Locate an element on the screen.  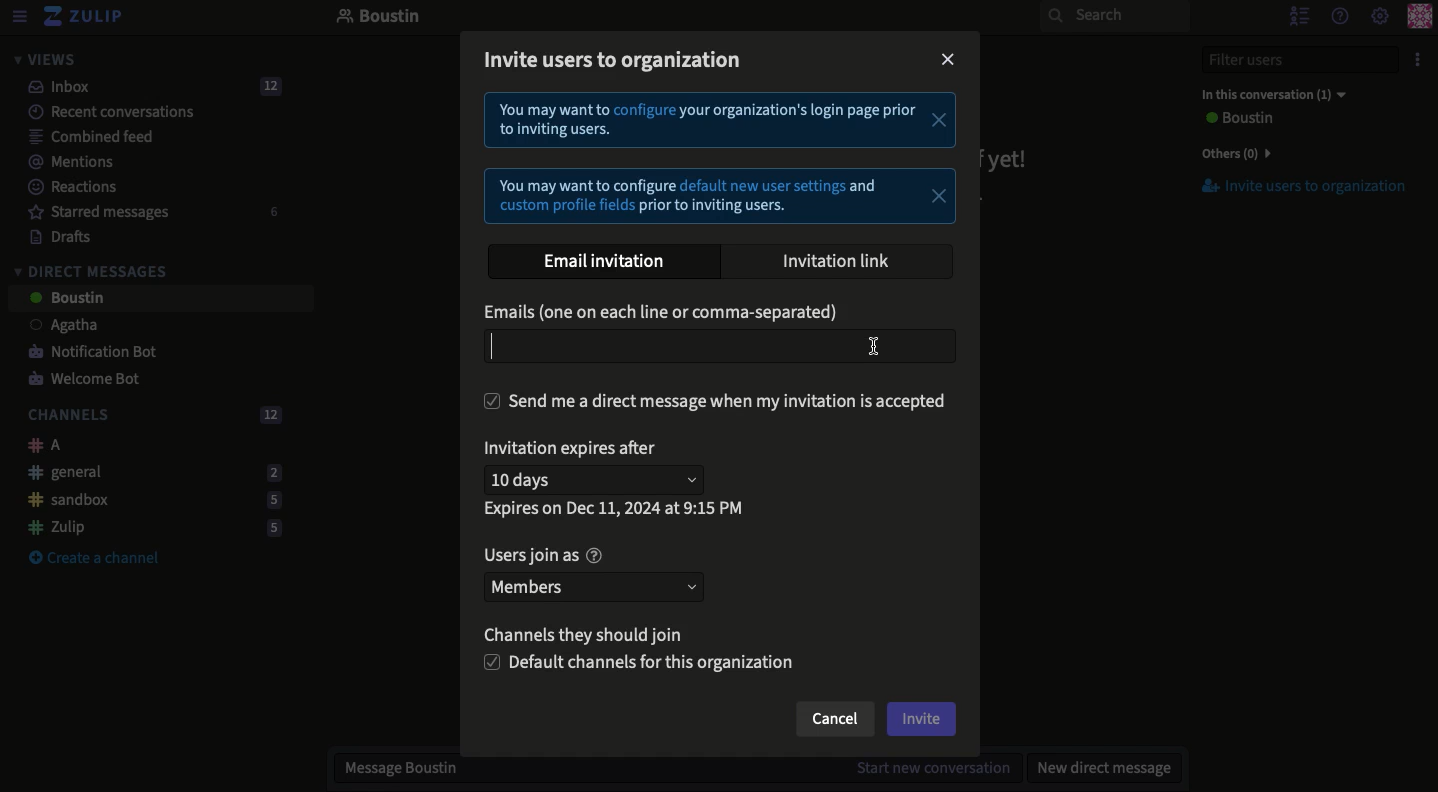
Reactions is located at coordinates (69, 189).